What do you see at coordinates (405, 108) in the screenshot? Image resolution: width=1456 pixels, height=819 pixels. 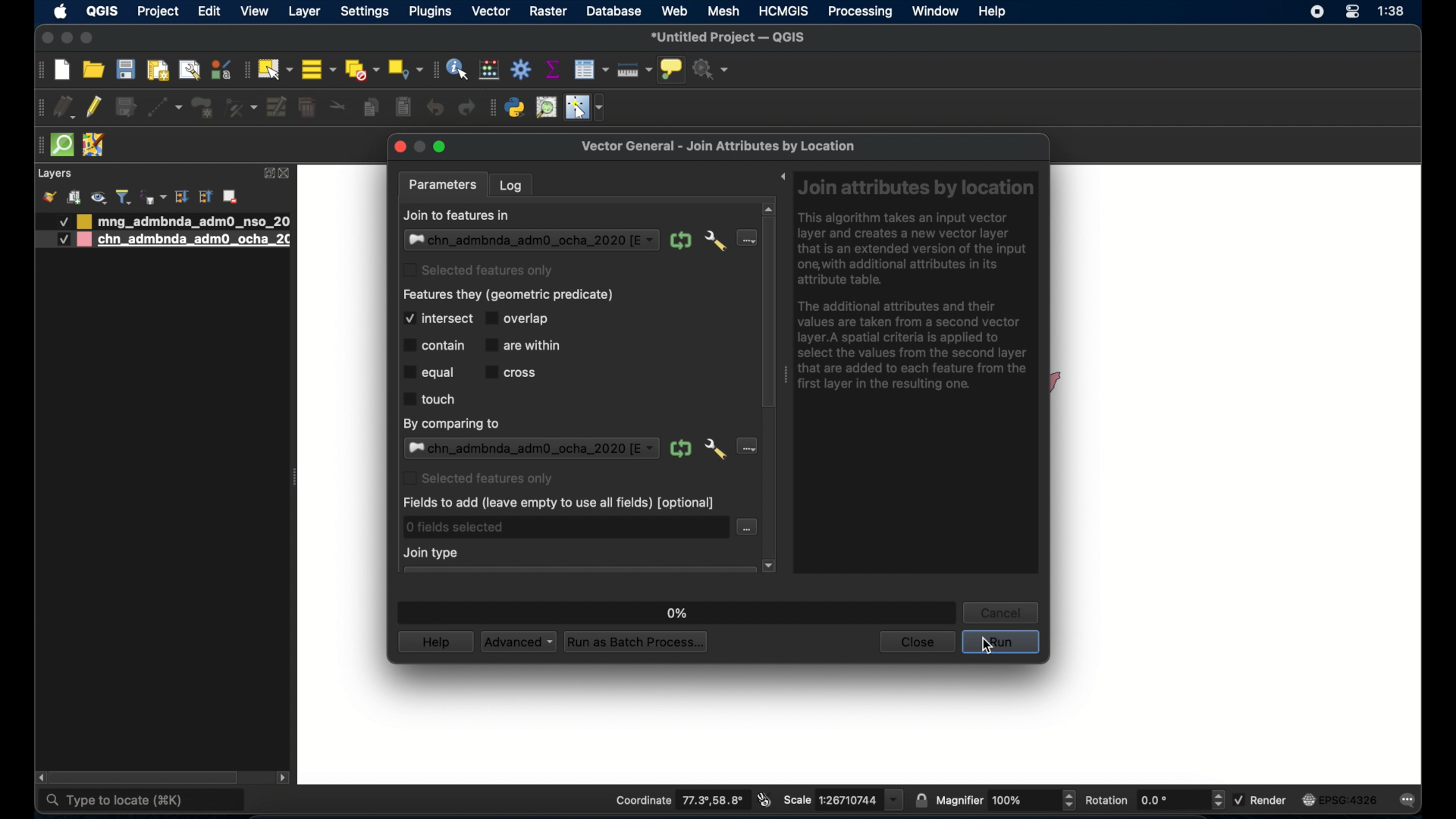 I see `paste features` at bounding box center [405, 108].